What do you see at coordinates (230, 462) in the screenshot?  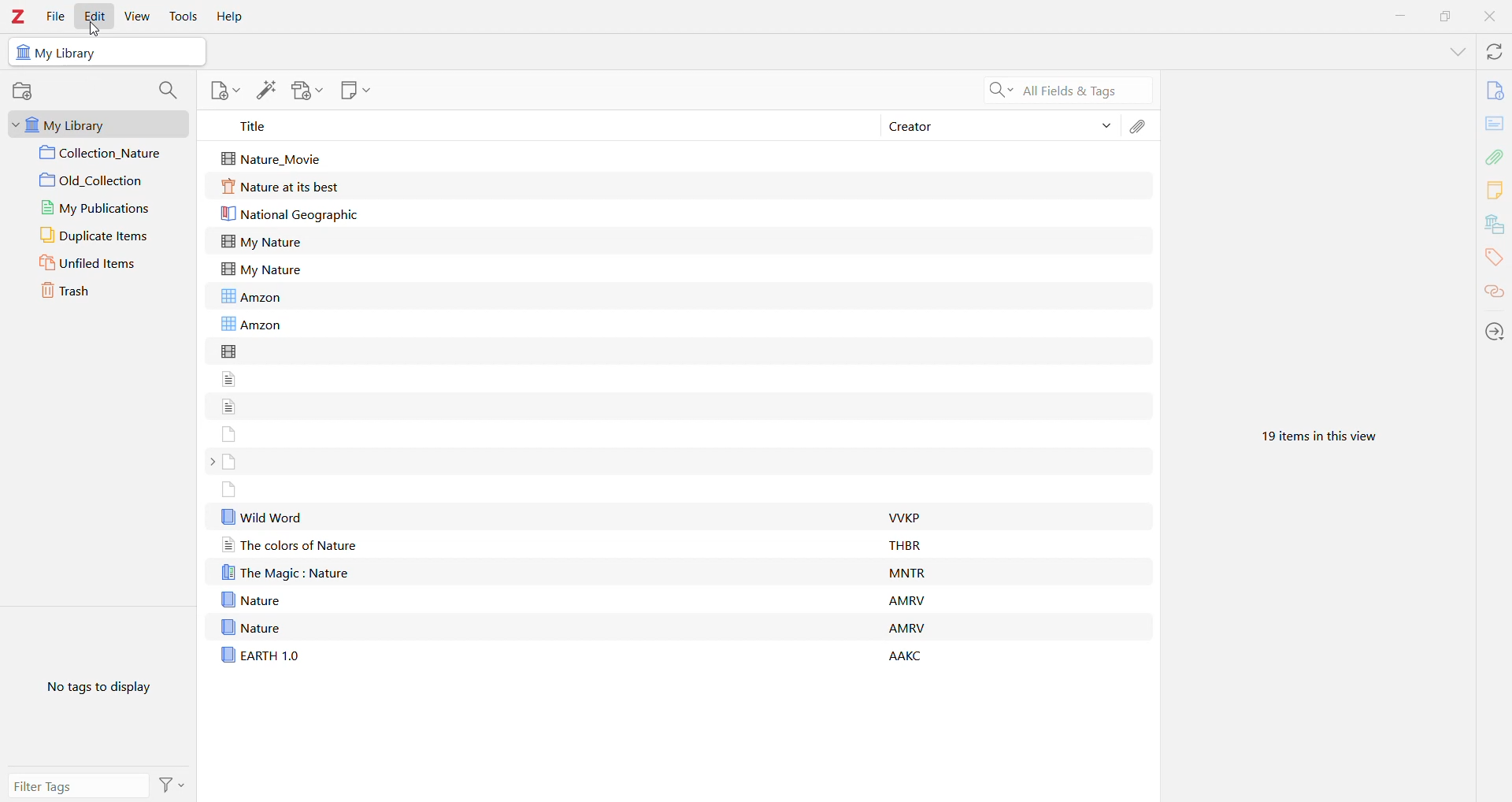 I see `file without title` at bounding box center [230, 462].